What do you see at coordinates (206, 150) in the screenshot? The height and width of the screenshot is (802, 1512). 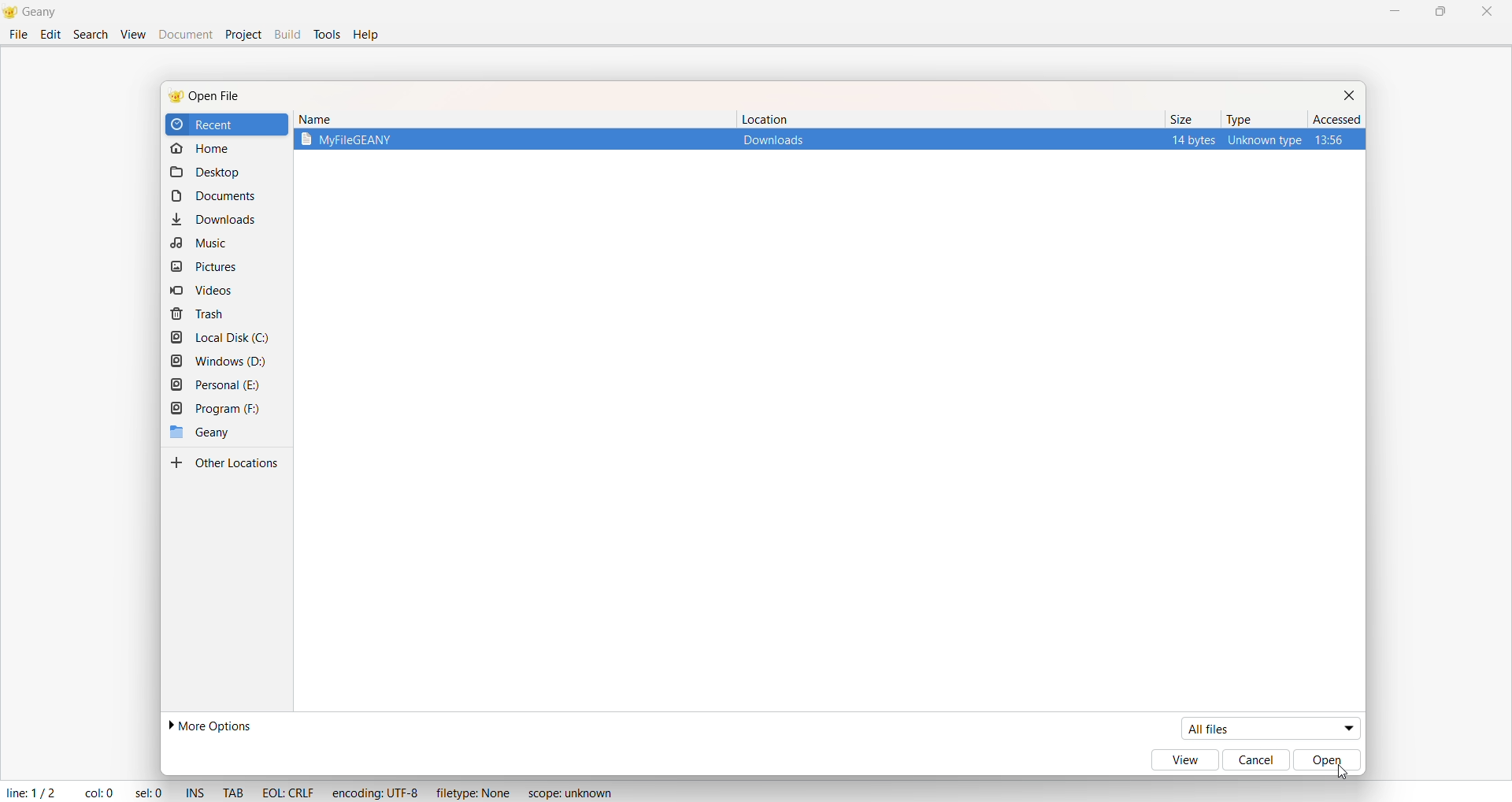 I see `home` at bounding box center [206, 150].